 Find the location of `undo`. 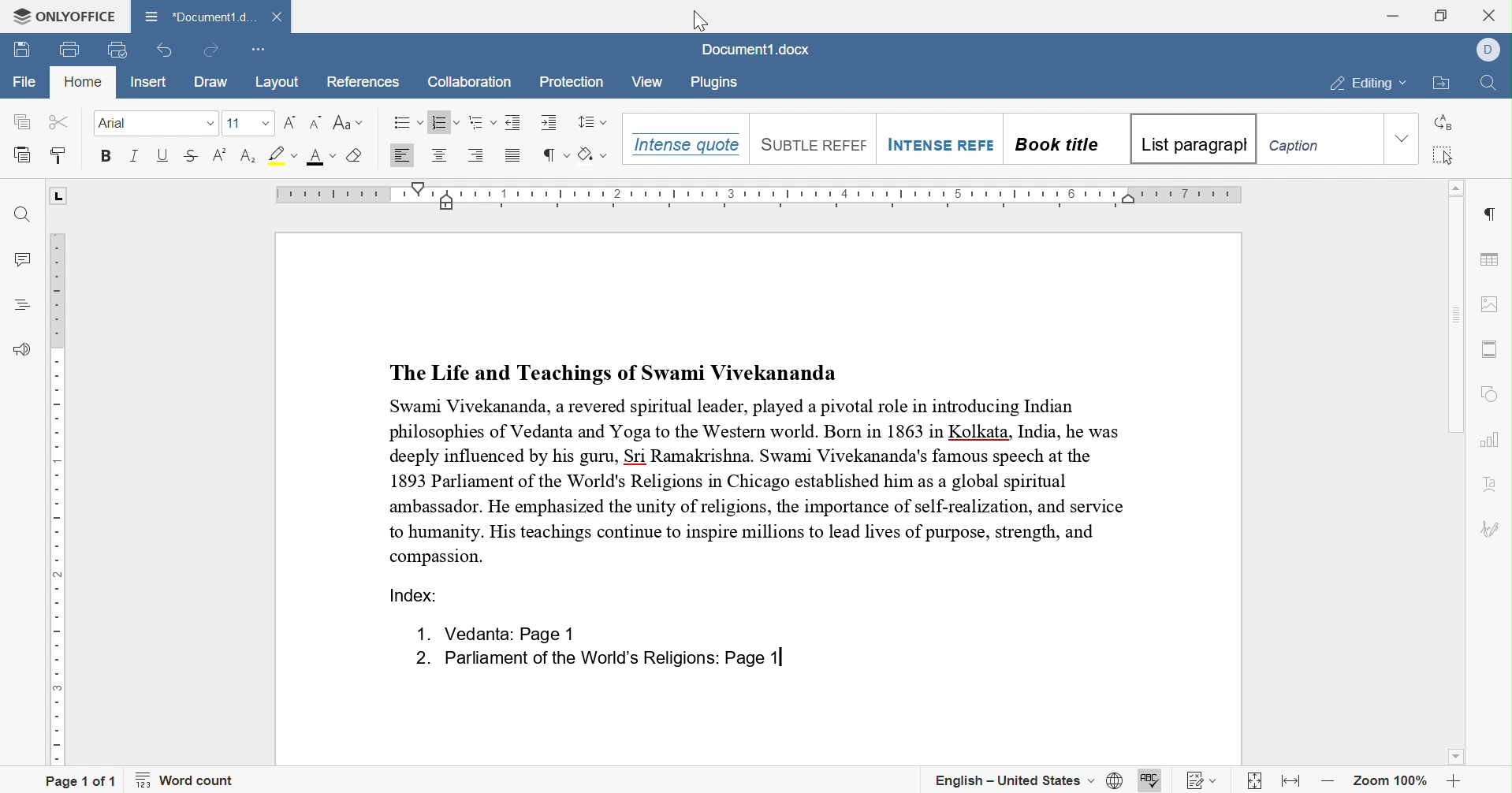

undo is located at coordinates (166, 51).